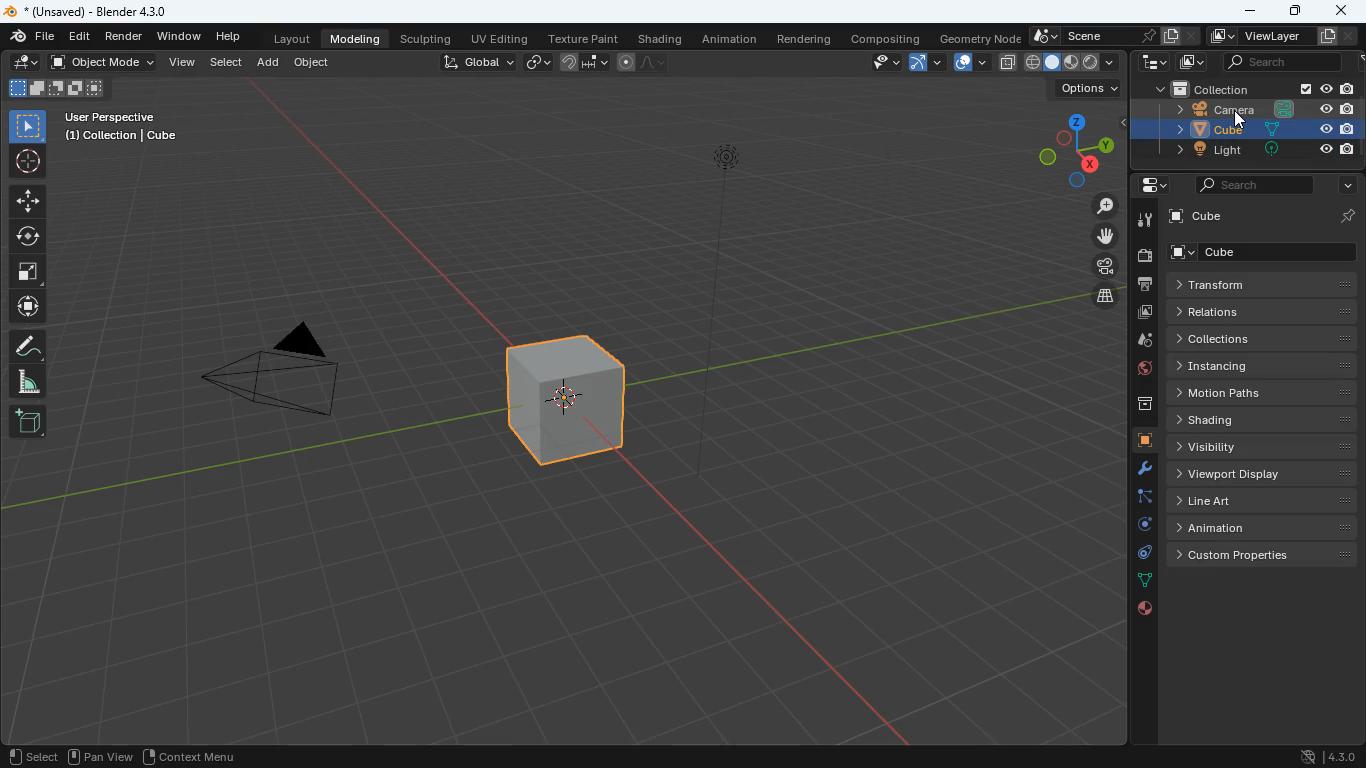 This screenshot has height=768, width=1366. I want to click on version, so click(1320, 757).